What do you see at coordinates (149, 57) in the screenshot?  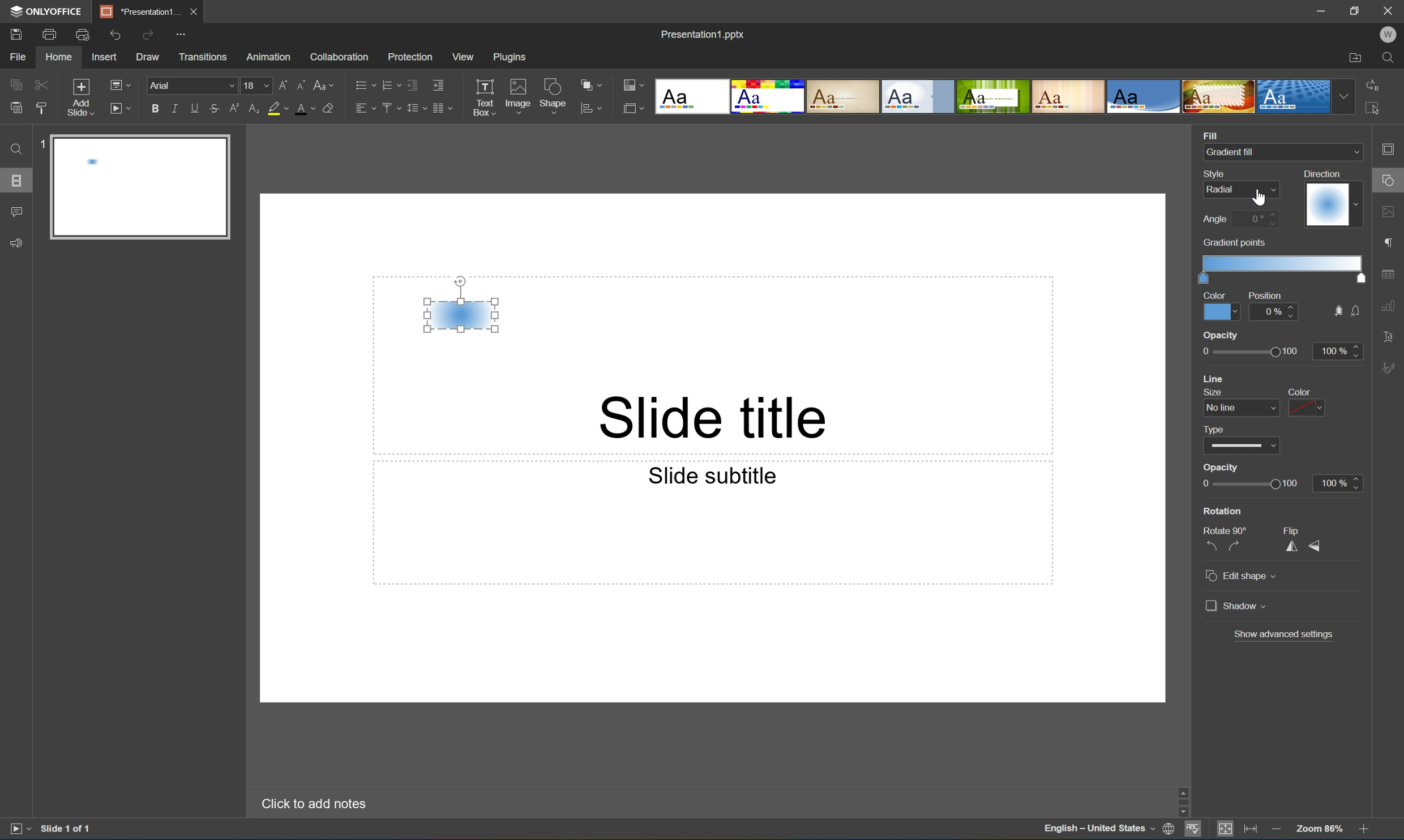 I see `Draw` at bounding box center [149, 57].